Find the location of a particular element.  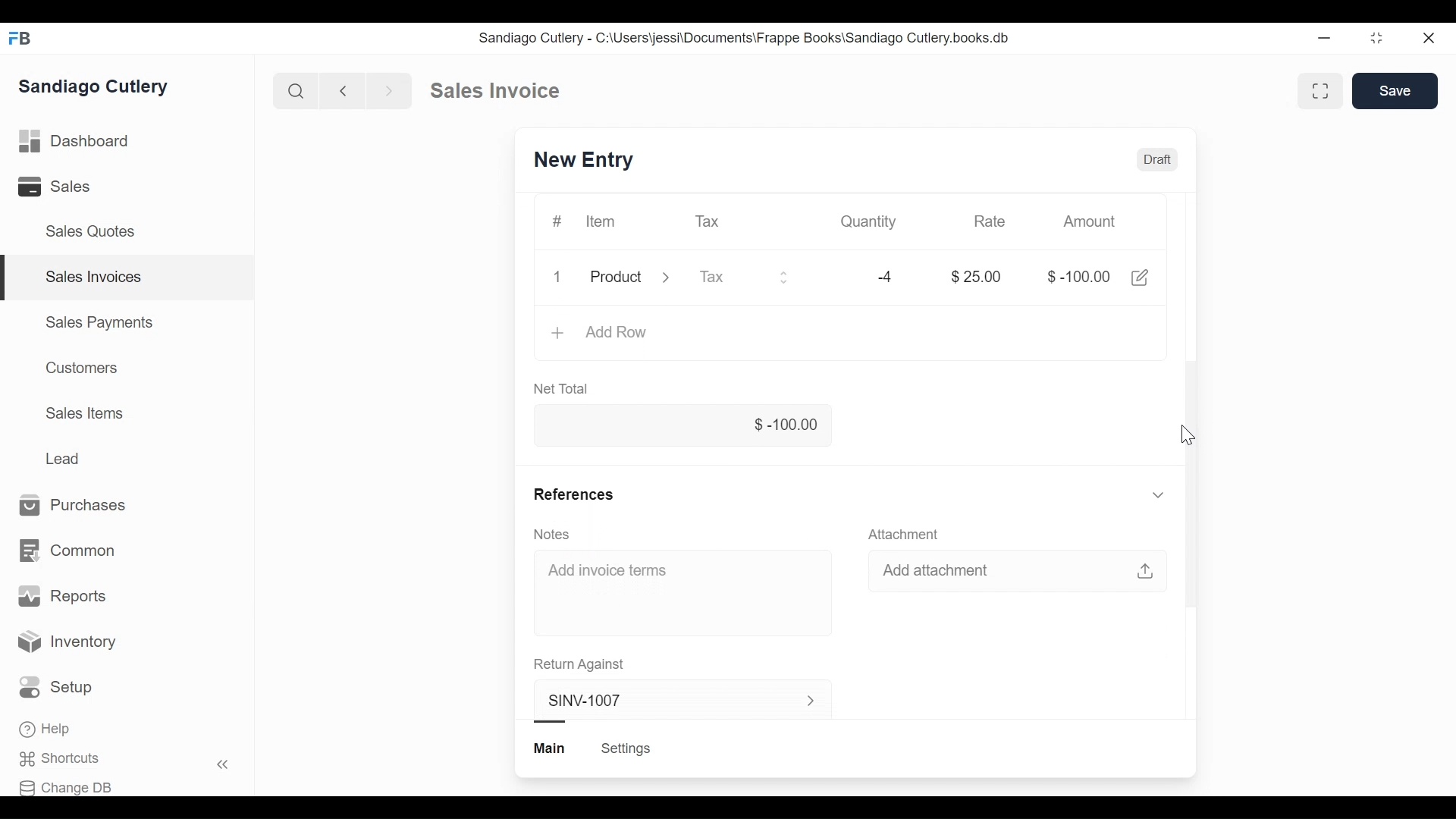

SINV-1007 is located at coordinates (674, 701).